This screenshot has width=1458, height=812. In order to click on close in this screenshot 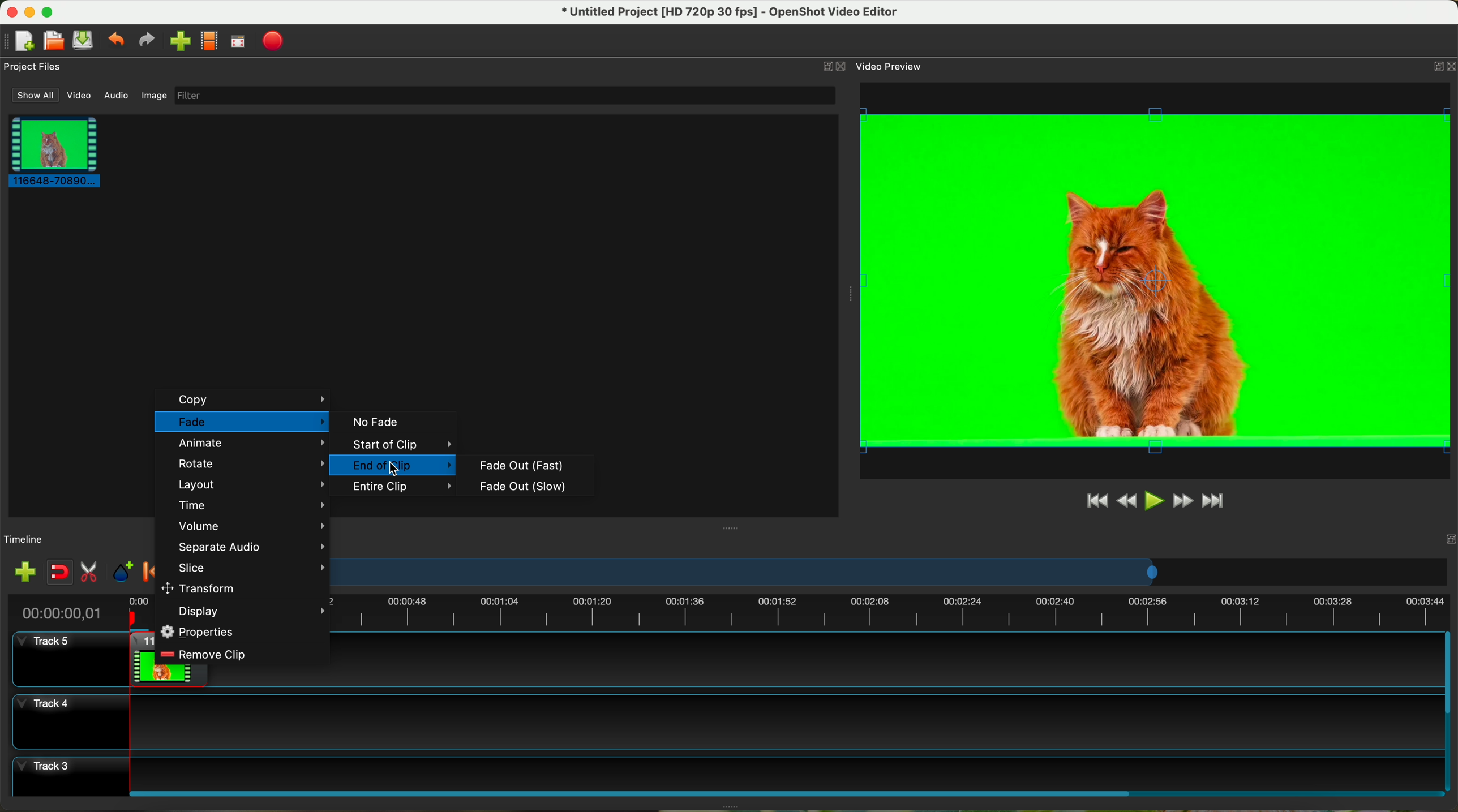, I will do `click(1442, 68)`.